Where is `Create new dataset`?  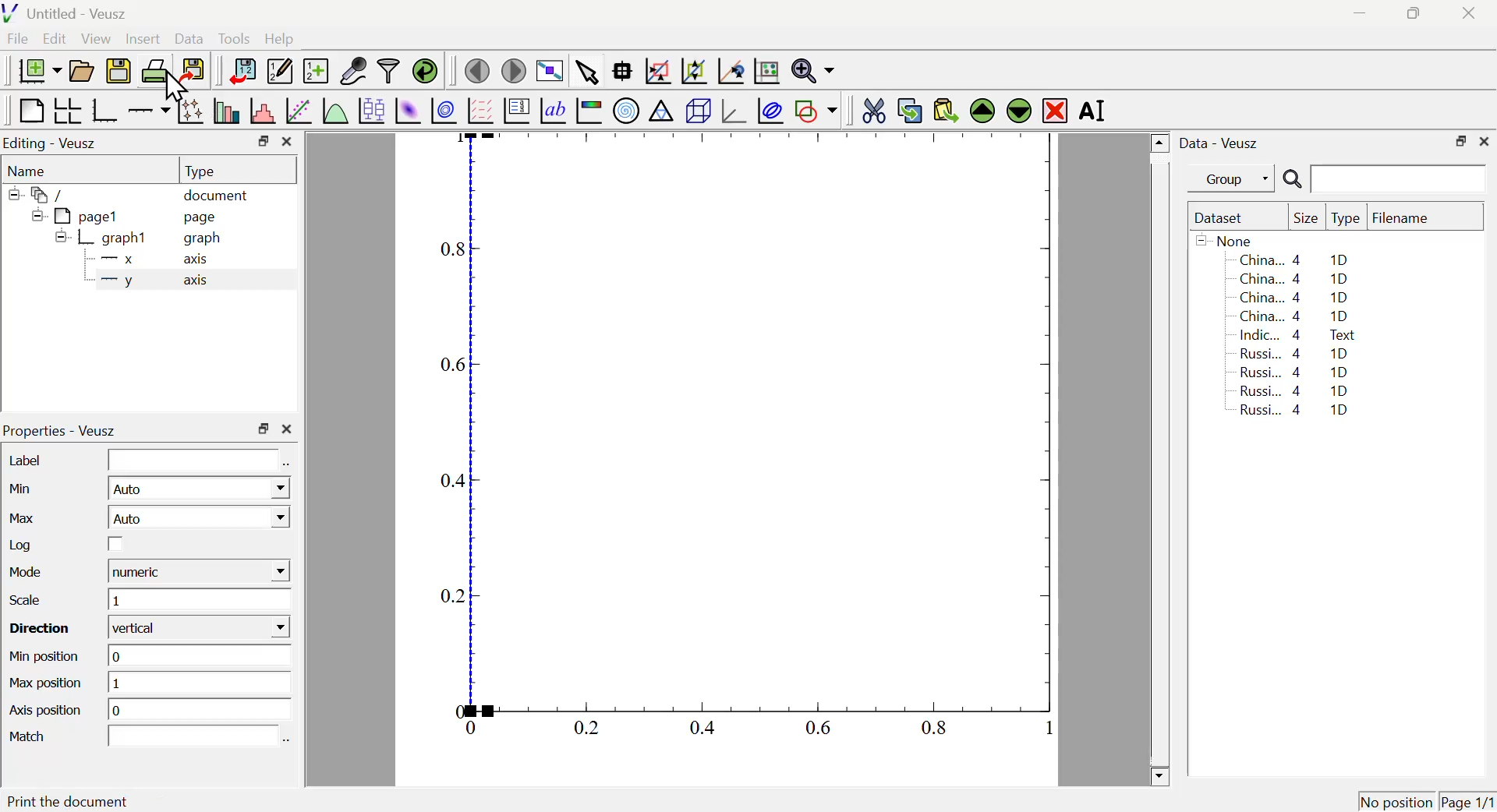 Create new dataset is located at coordinates (315, 72).